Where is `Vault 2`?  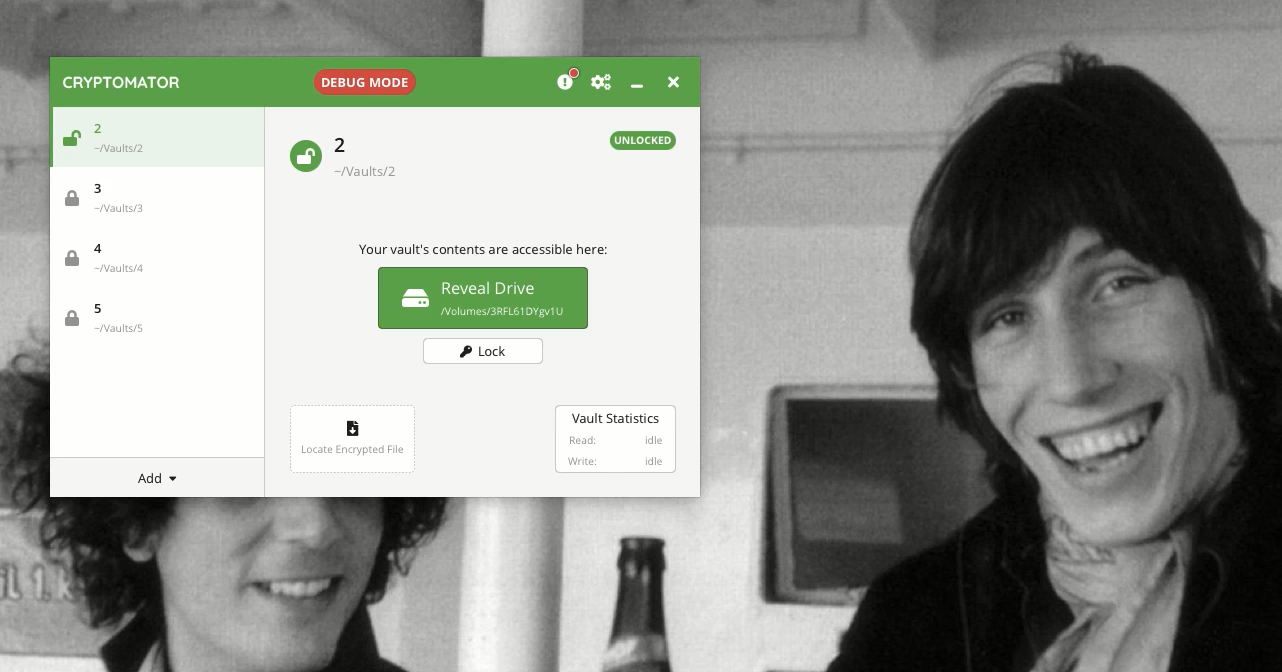 Vault 2 is located at coordinates (377, 157).